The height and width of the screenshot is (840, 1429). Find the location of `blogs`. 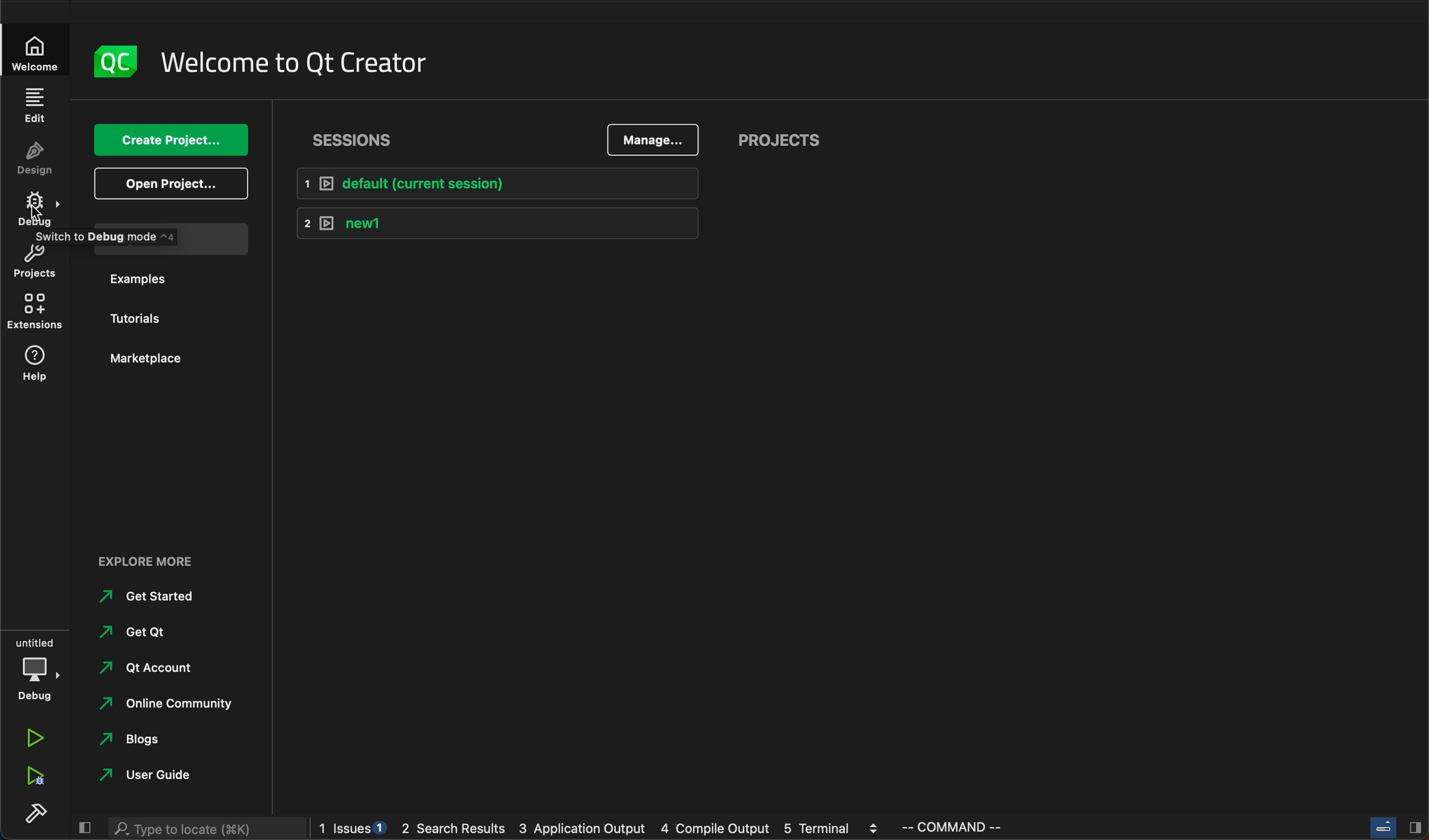

blogs is located at coordinates (146, 742).